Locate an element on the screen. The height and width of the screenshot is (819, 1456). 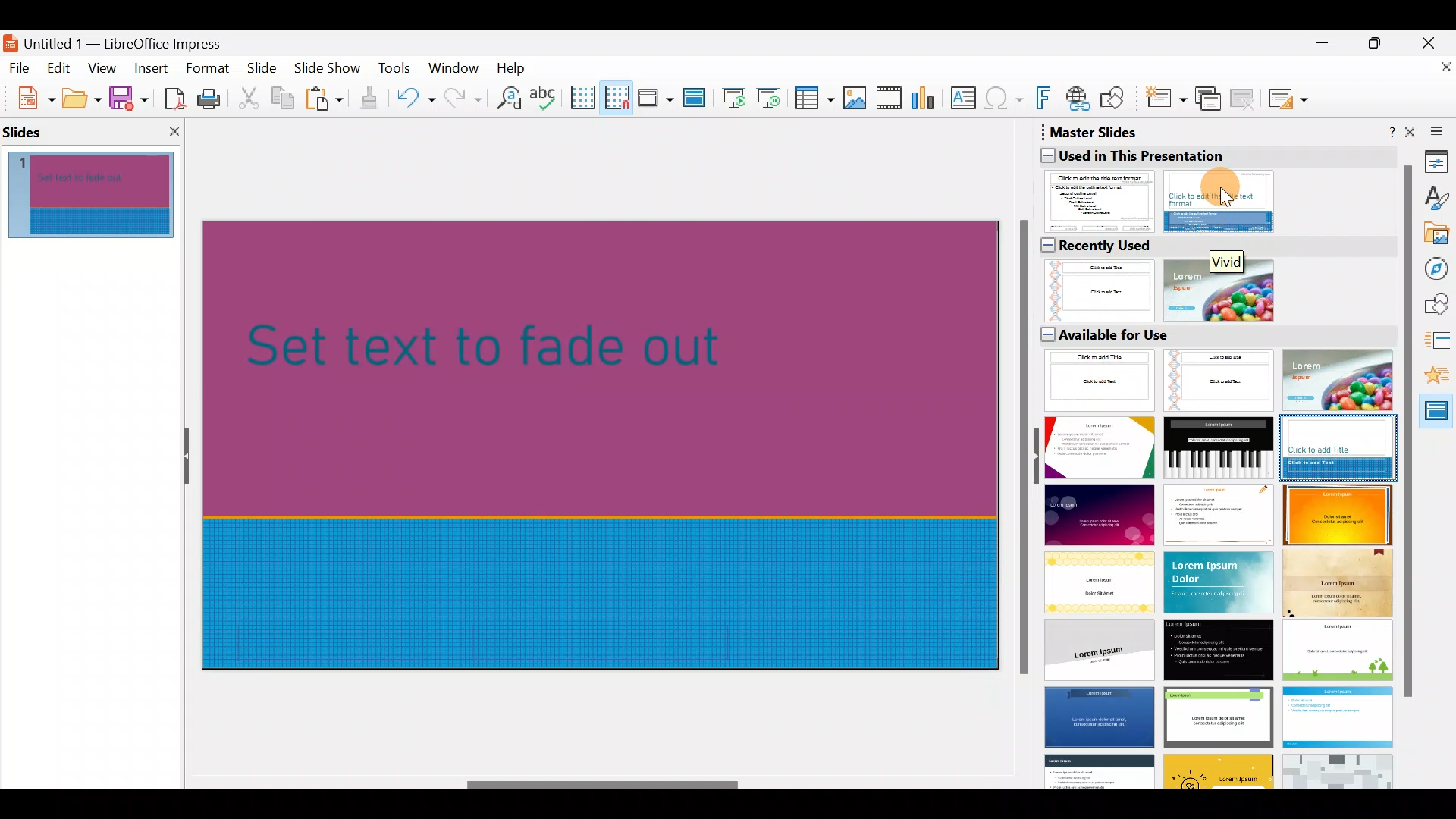
Delete slide is located at coordinates (1245, 98).